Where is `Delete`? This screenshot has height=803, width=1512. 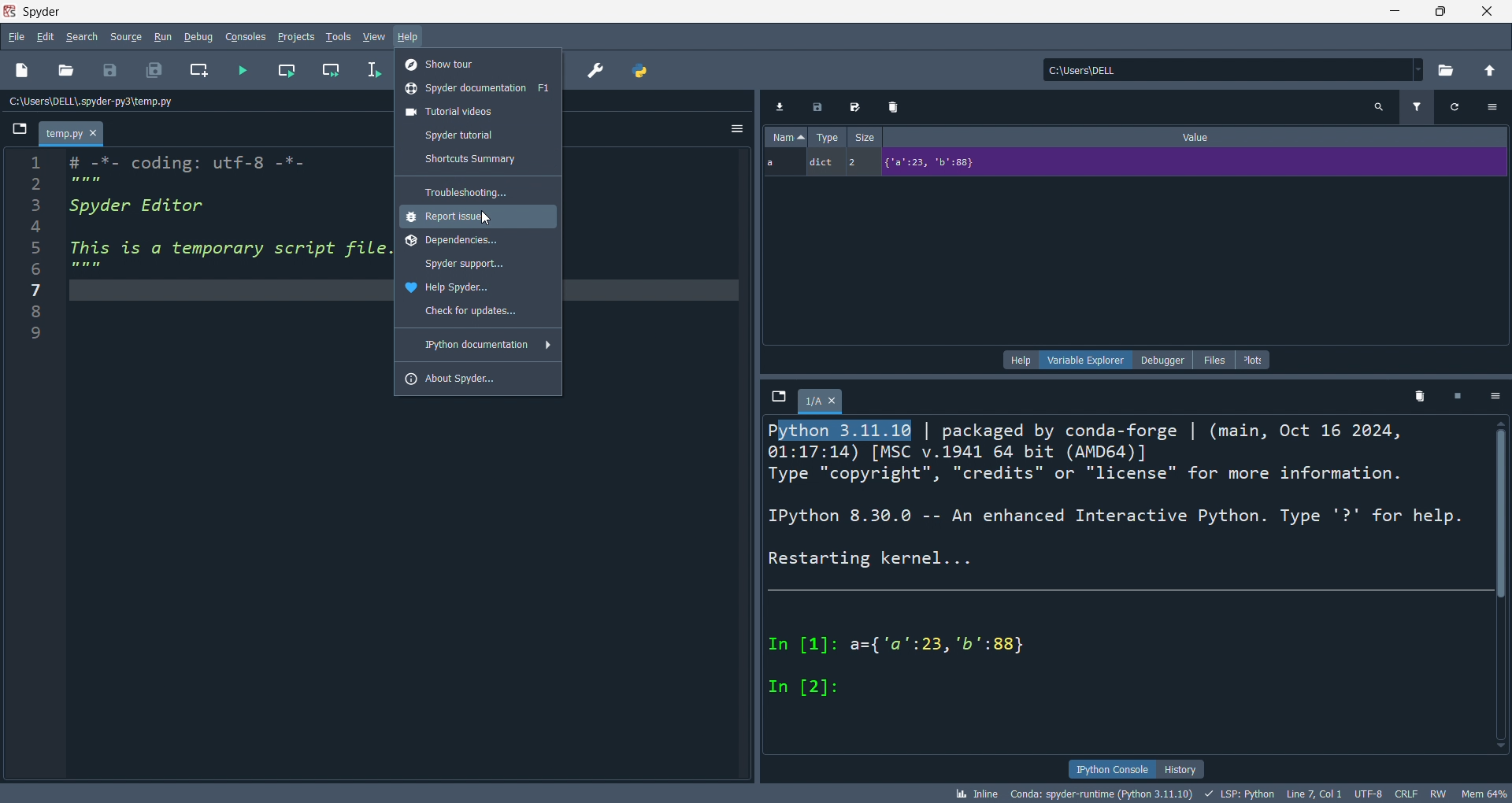 Delete is located at coordinates (894, 108).